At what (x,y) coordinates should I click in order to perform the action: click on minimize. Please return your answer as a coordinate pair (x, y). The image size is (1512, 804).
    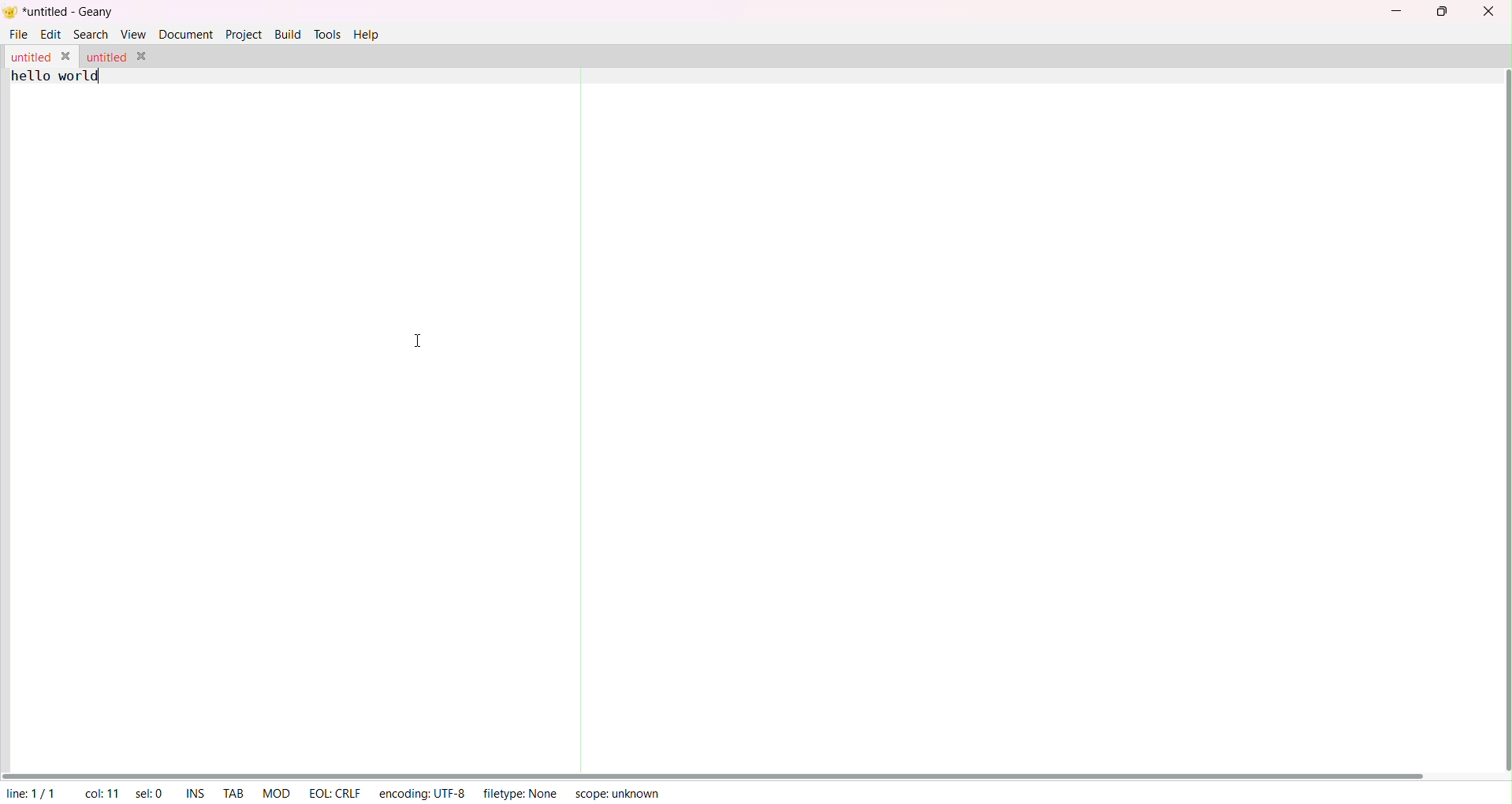
    Looking at the image, I should click on (1395, 10).